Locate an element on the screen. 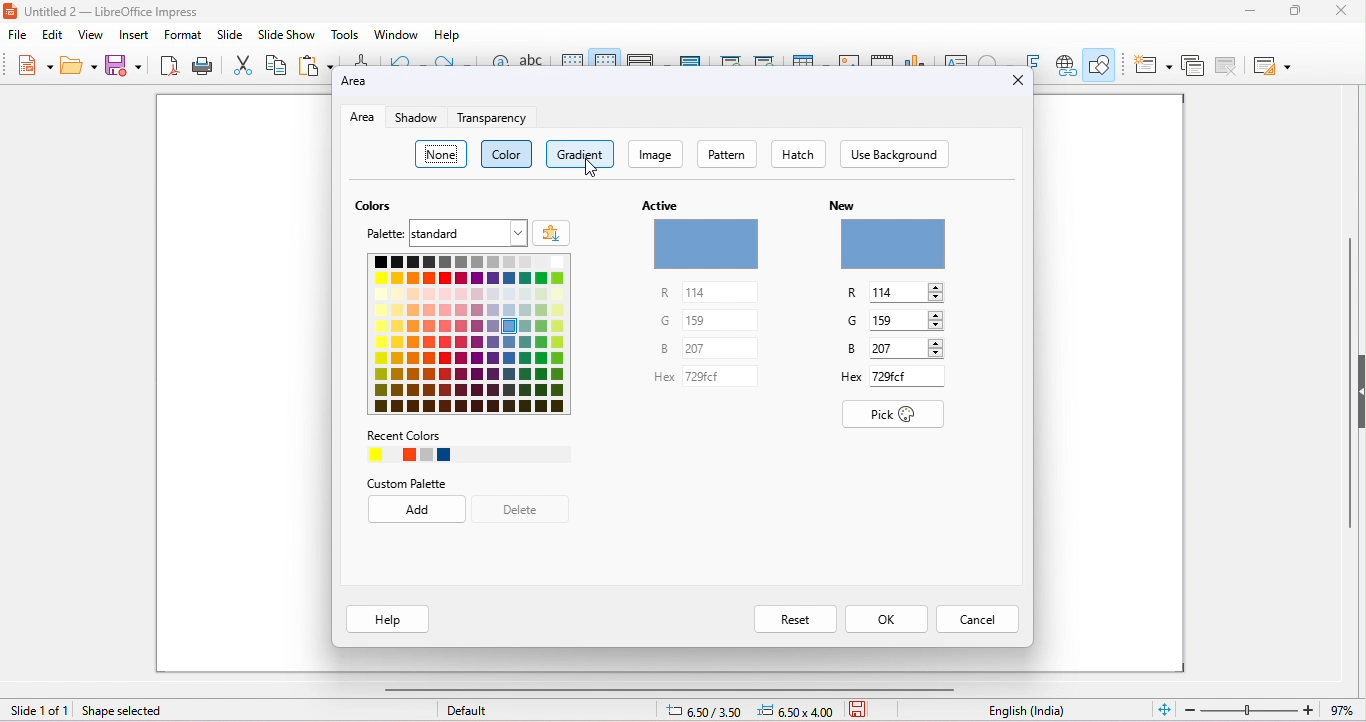 The height and width of the screenshot is (722, 1366). standard is located at coordinates (469, 233).